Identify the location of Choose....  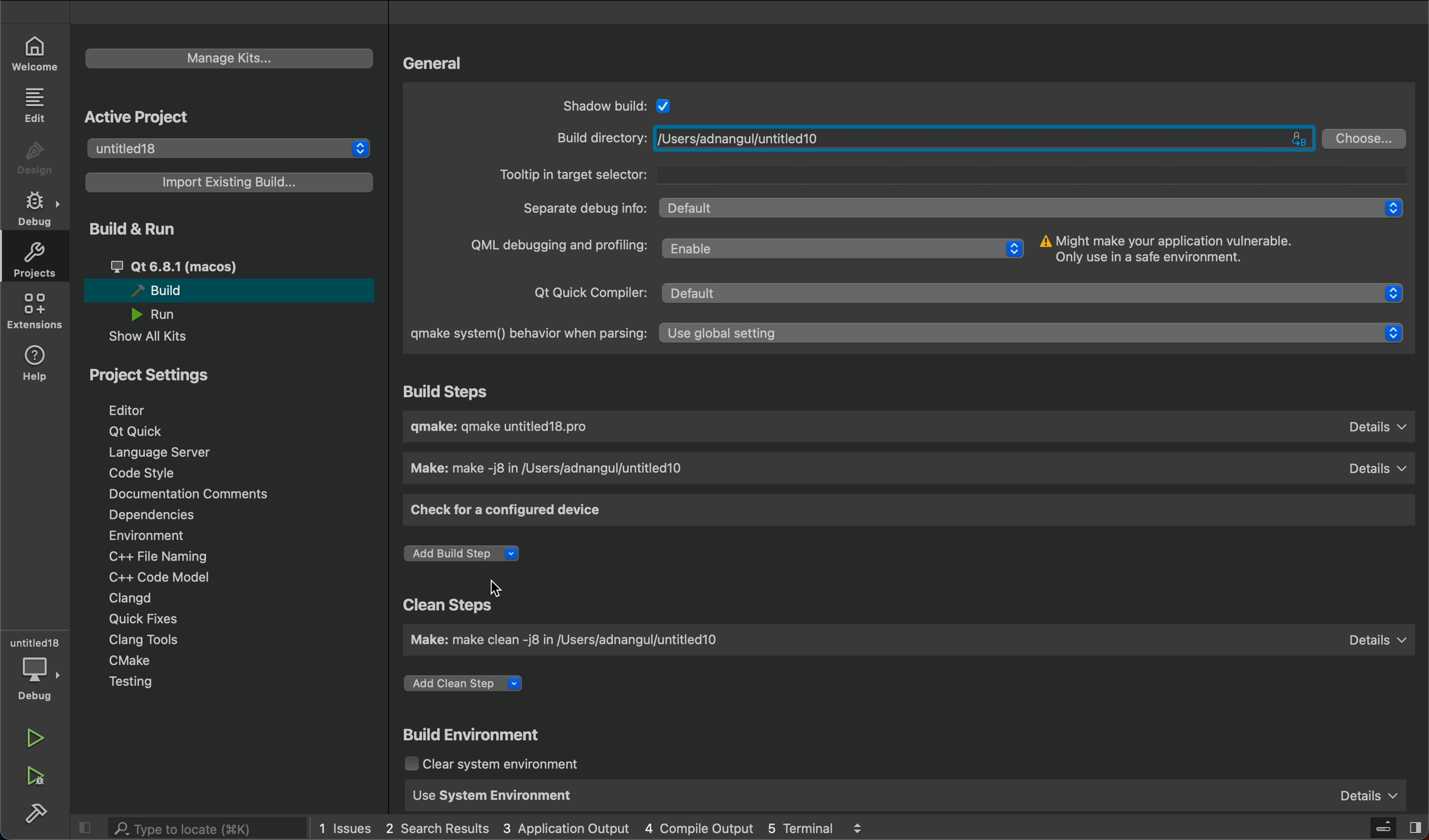
(1365, 139).